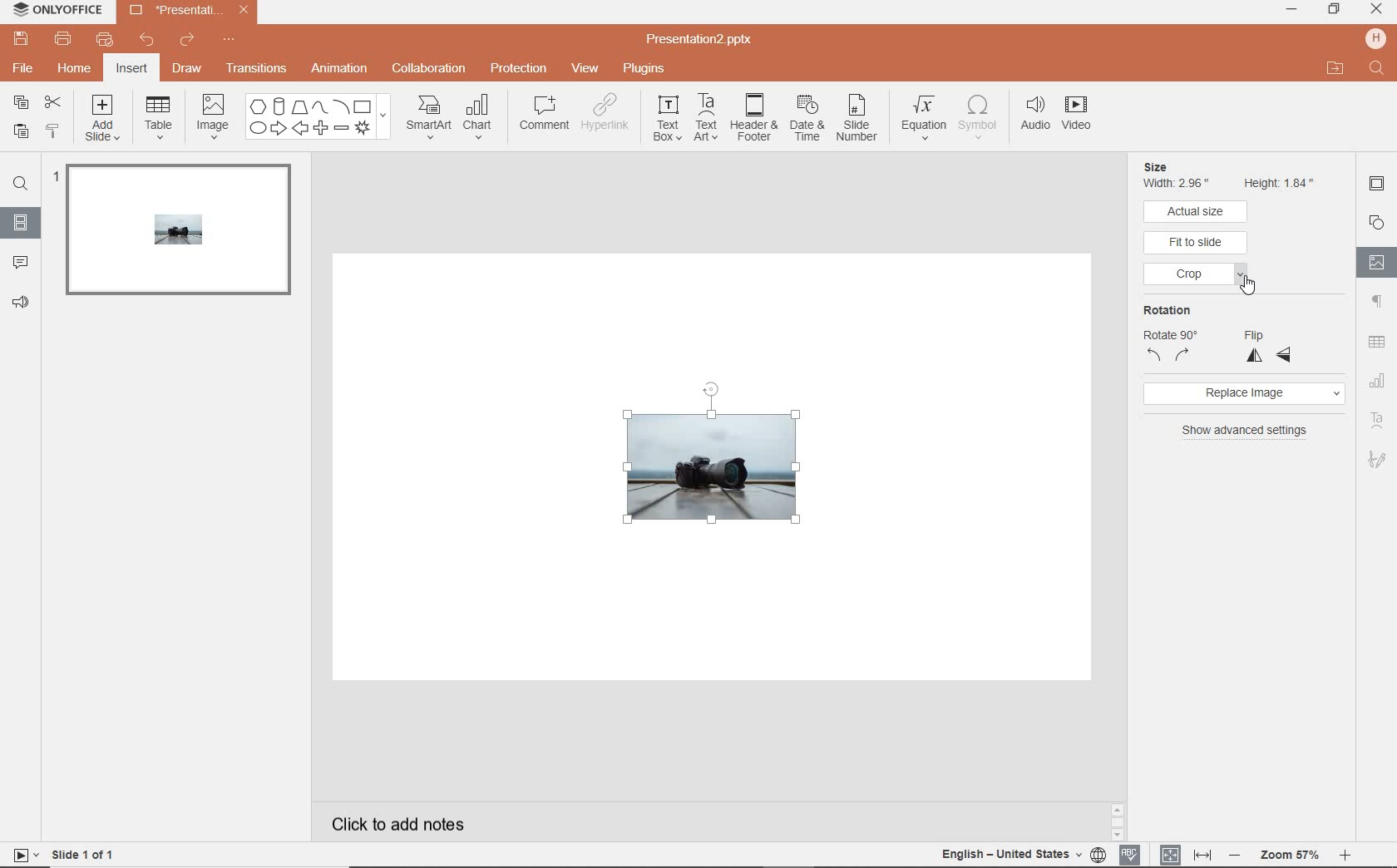 This screenshot has width=1397, height=868. What do you see at coordinates (212, 116) in the screenshot?
I see `image` at bounding box center [212, 116].